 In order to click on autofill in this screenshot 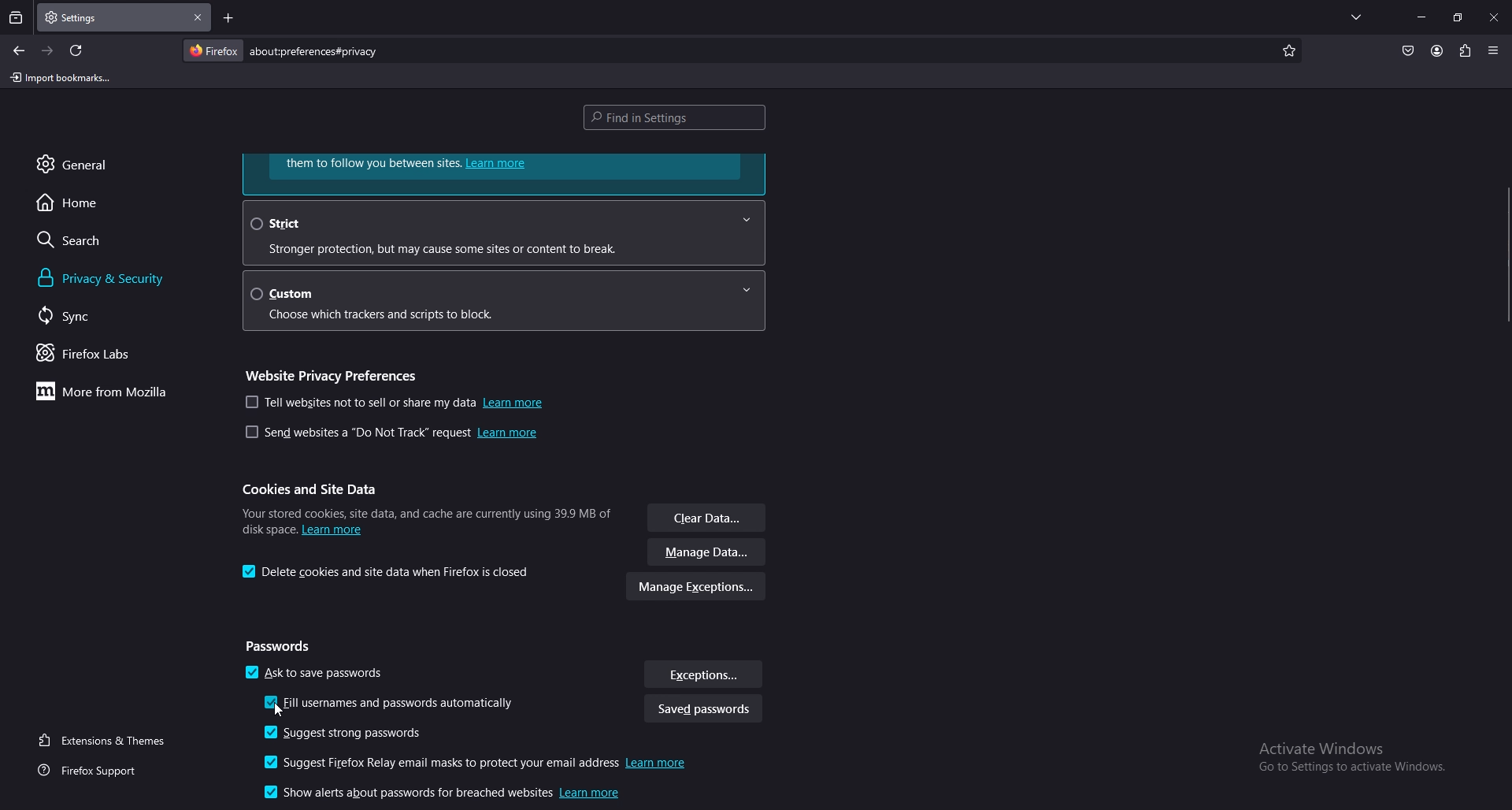, I will do `click(395, 704)`.